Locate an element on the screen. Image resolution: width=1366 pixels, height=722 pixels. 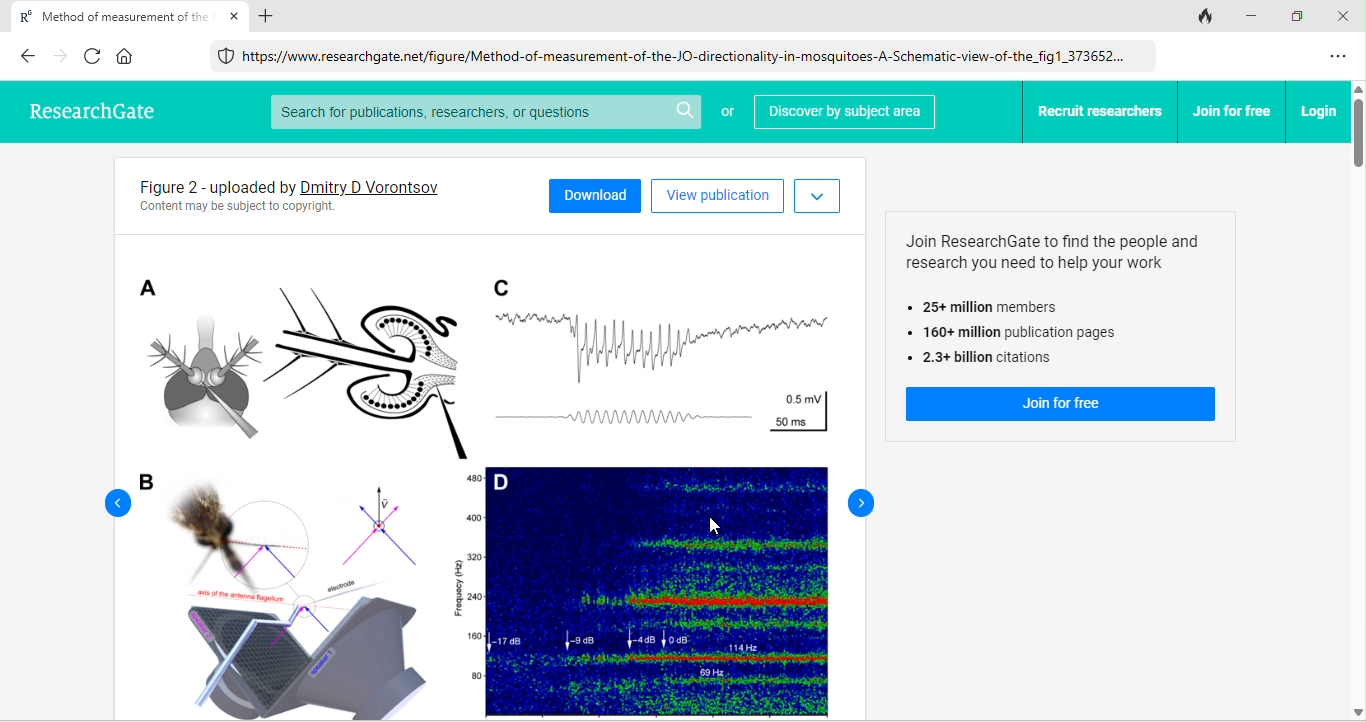
Figure 2 - uploaded by Dmitry D Vorontsov - content may be subject to copyright is located at coordinates (318, 195).